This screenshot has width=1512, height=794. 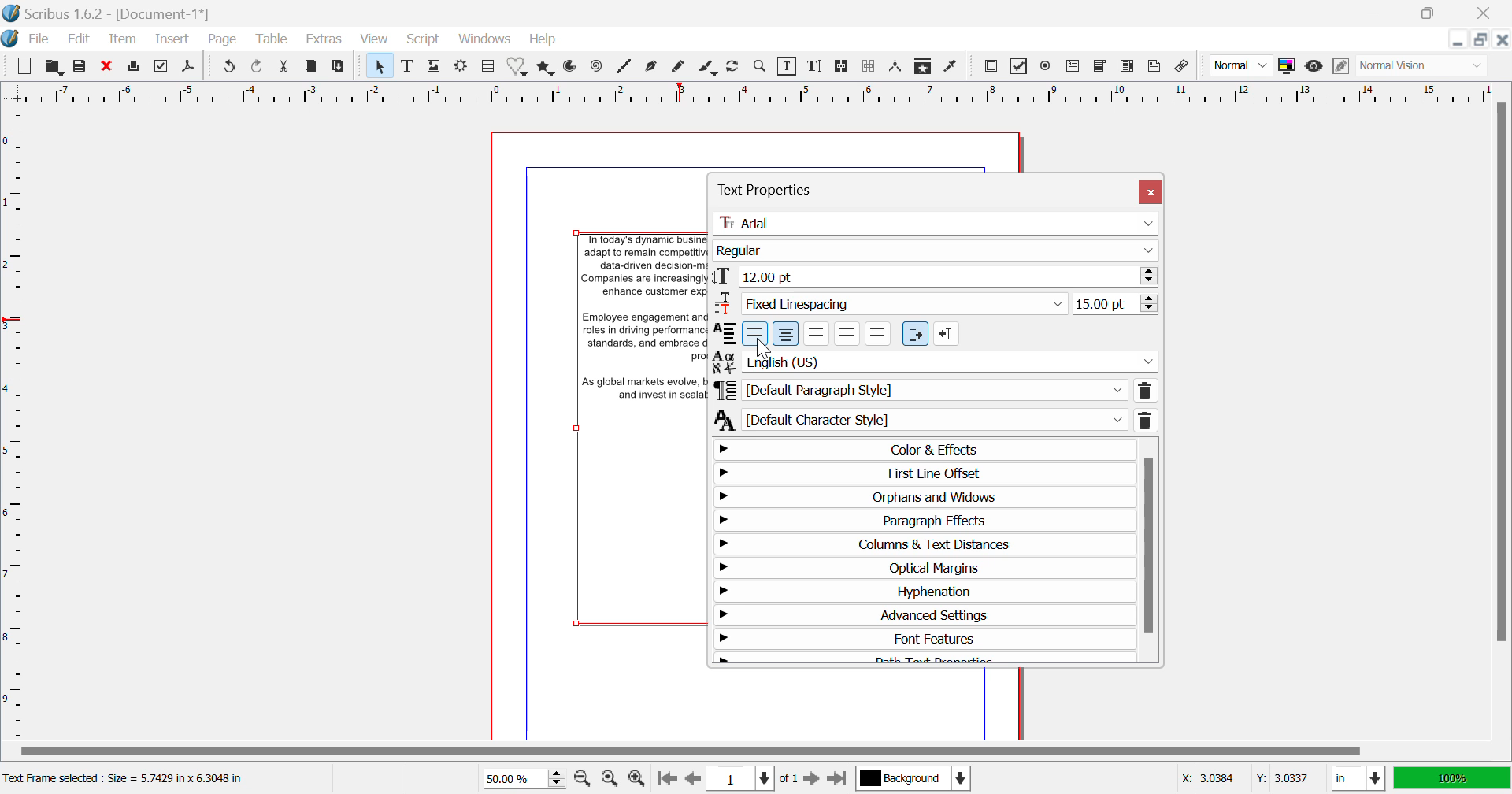 I want to click on Font Size, so click(x=936, y=280).